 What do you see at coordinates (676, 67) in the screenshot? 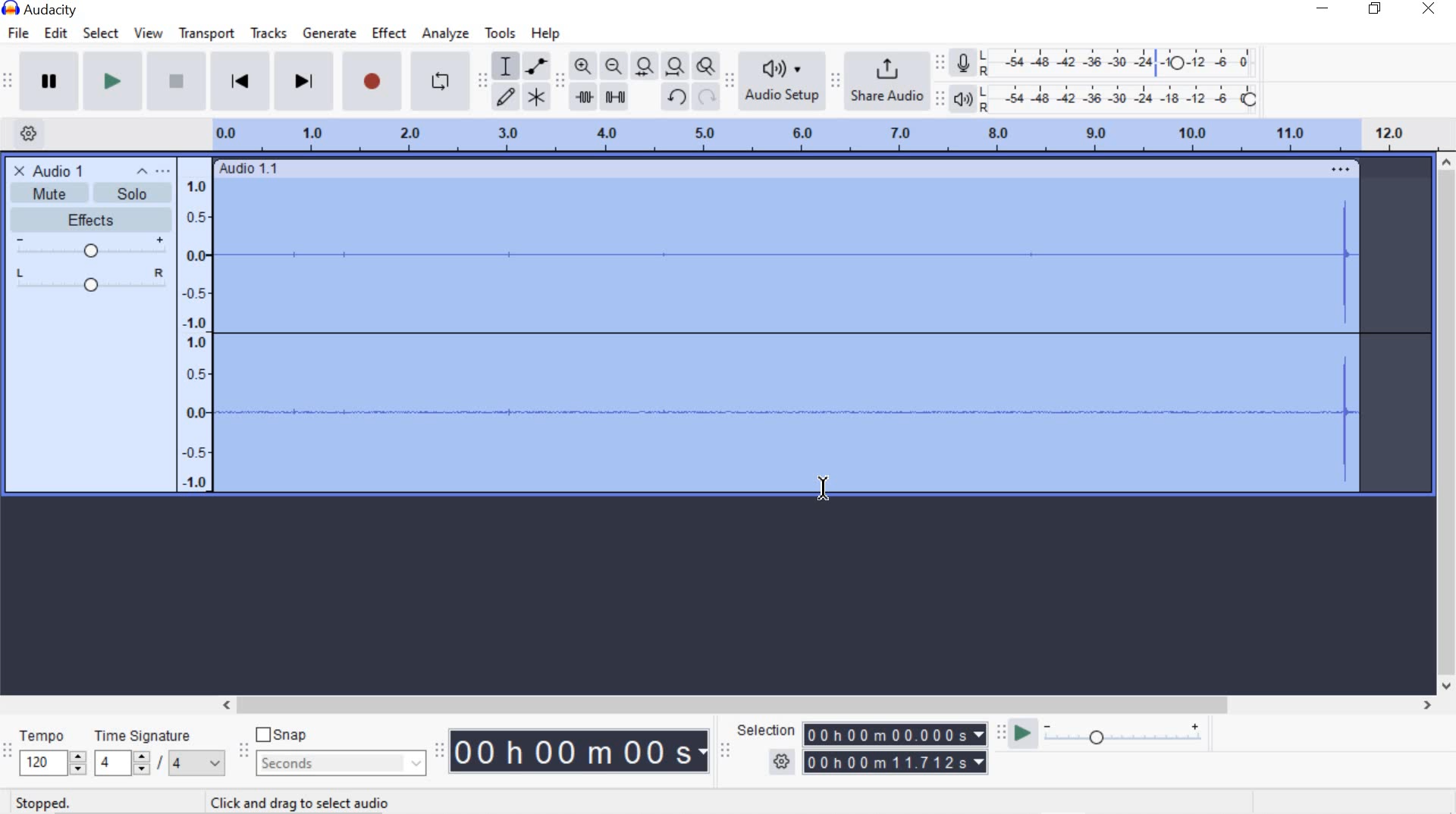
I see `Fit project to width` at bounding box center [676, 67].